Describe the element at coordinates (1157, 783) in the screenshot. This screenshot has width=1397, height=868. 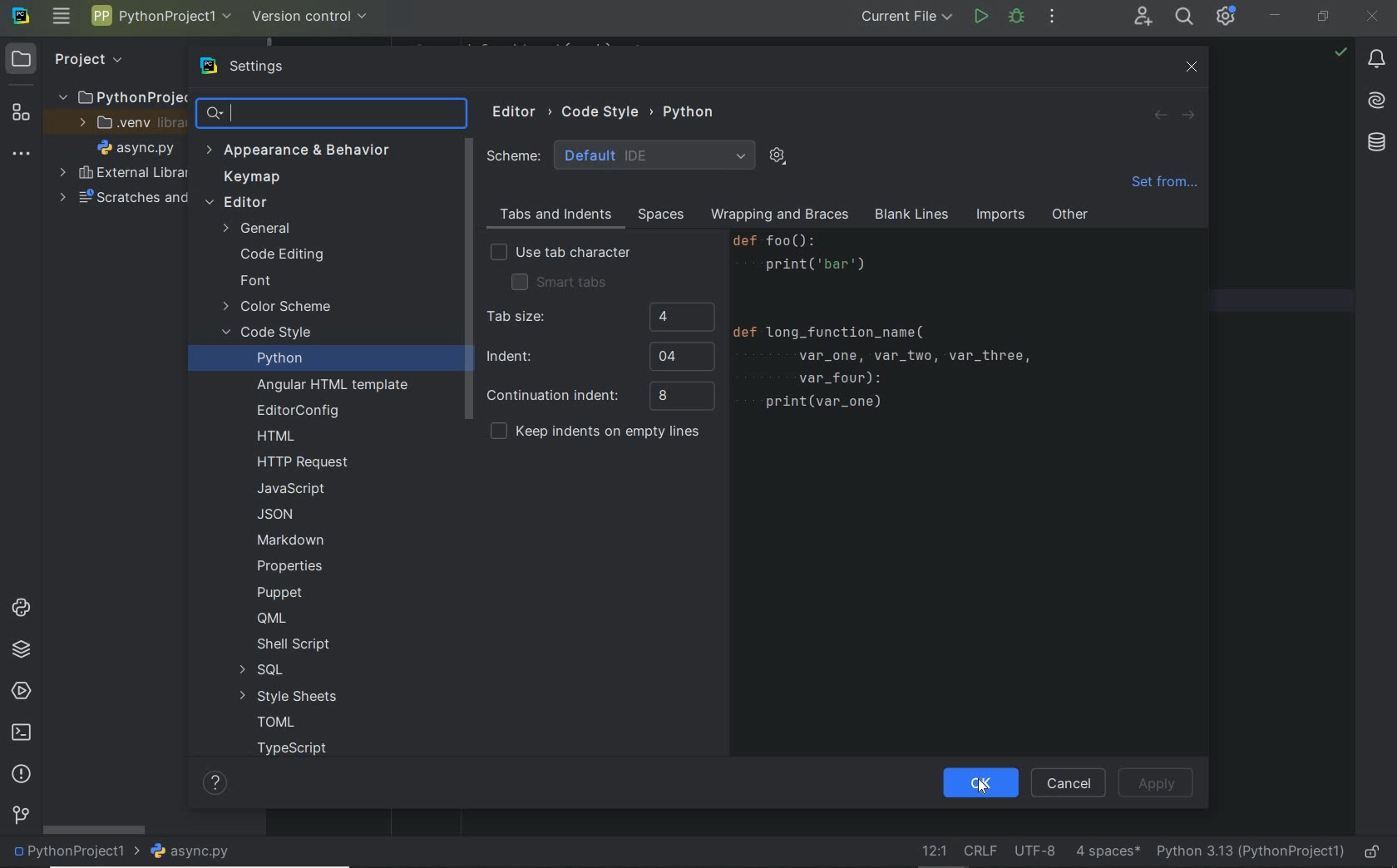
I see `Apply` at that location.